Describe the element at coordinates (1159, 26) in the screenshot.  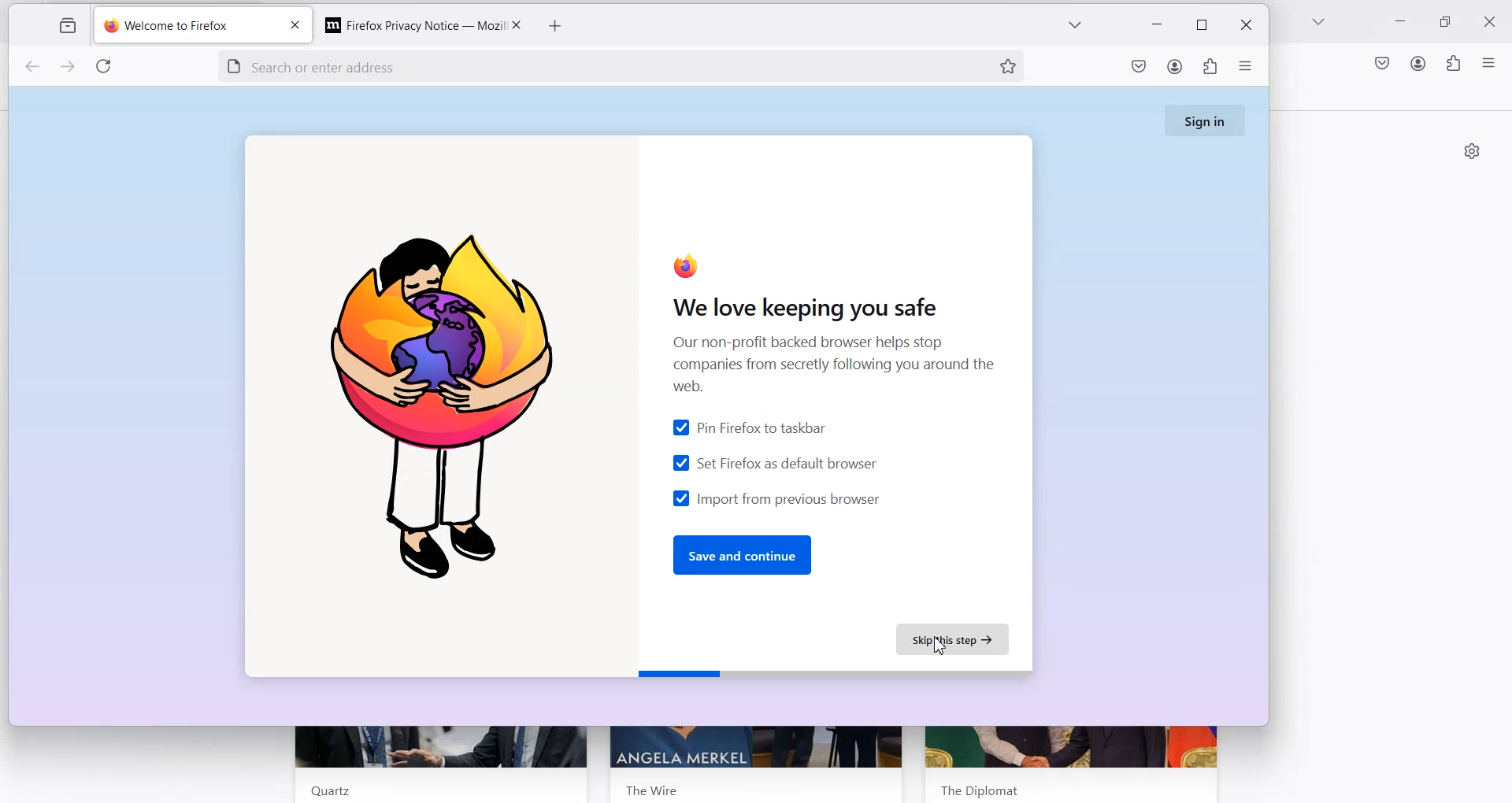
I see `minimize` at that location.